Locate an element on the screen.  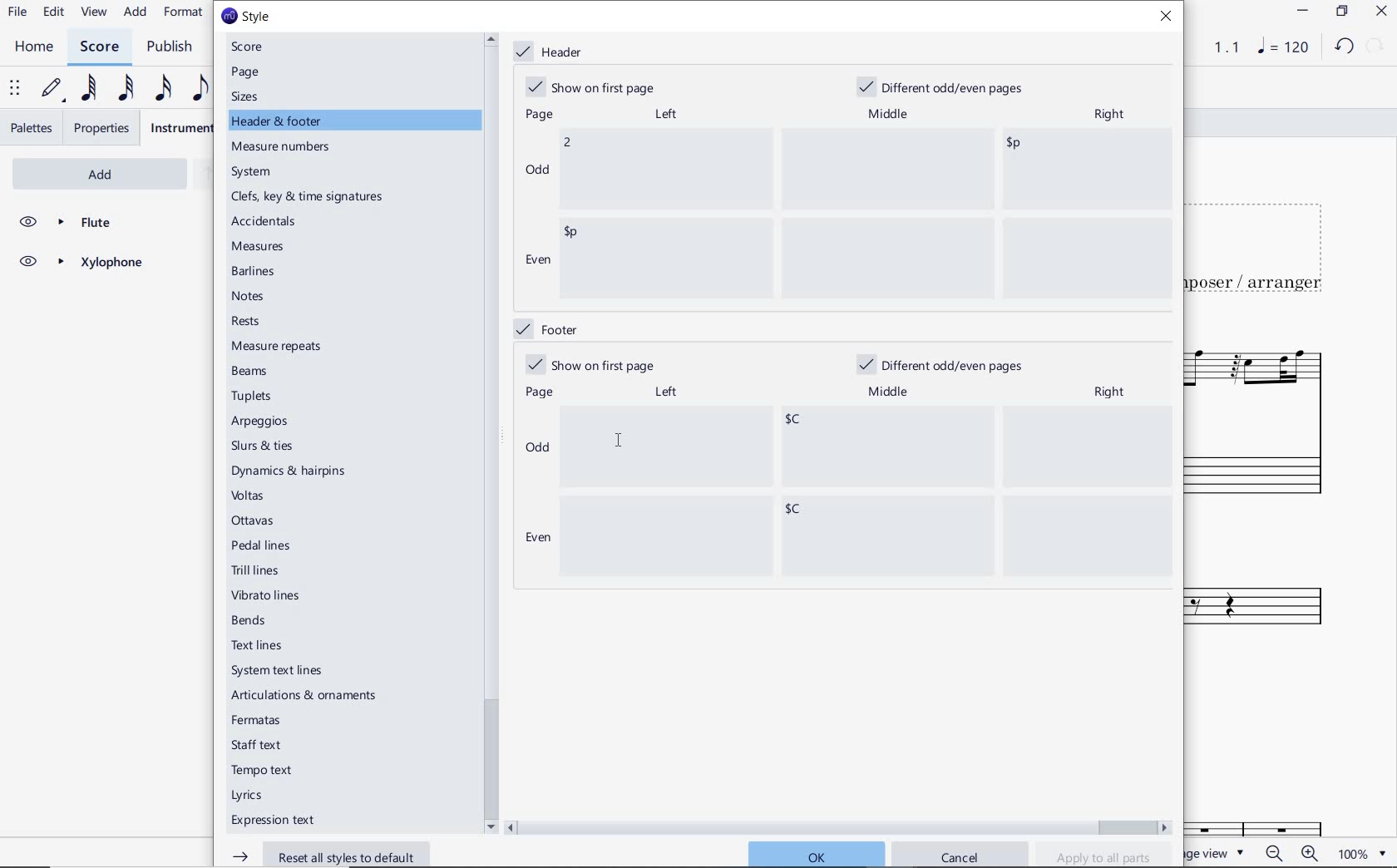
FLUTE is located at coordinates (1261, 419).